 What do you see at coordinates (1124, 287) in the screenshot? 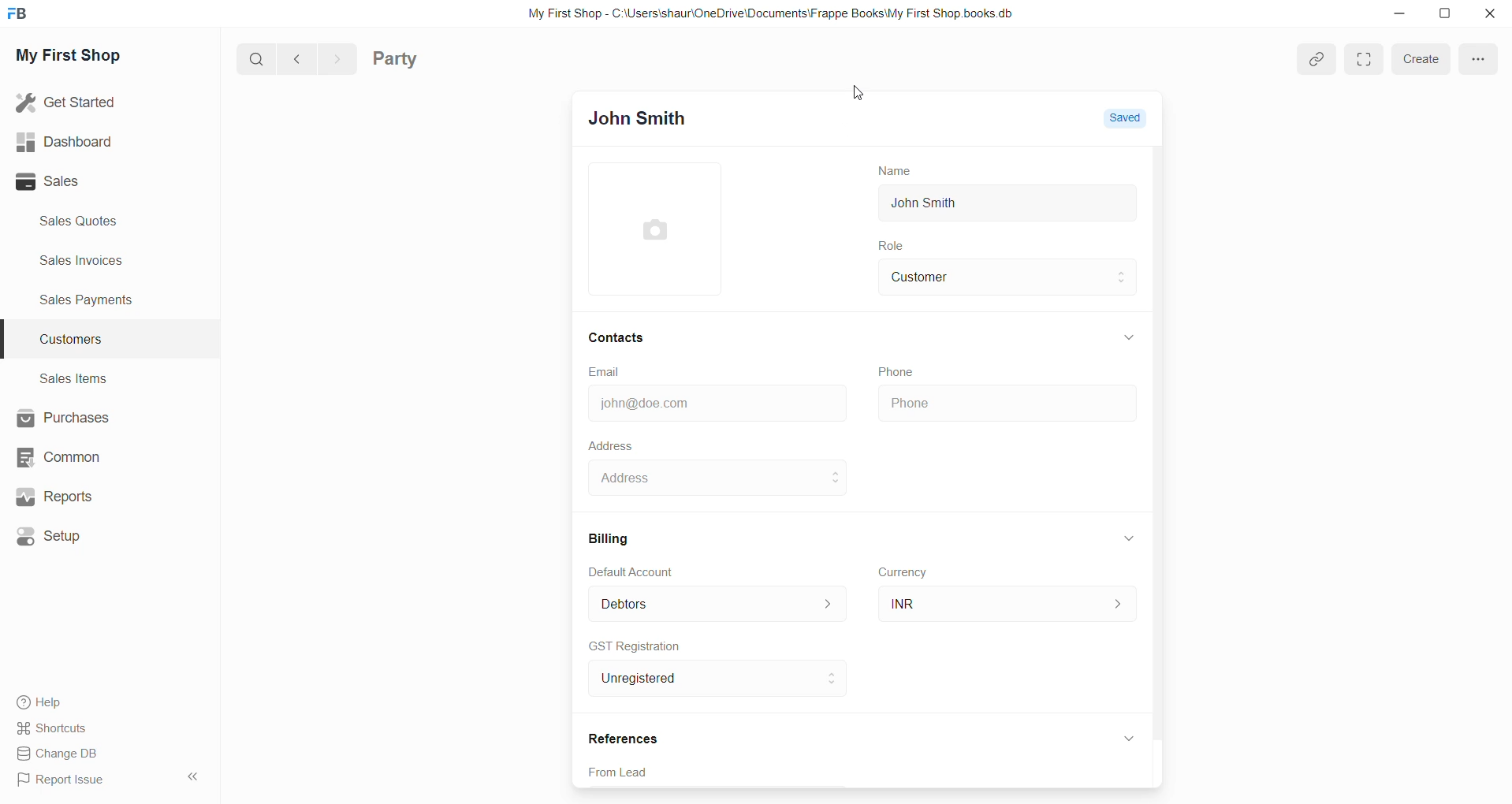
I see `move to down role` at bounding box center [1124, 287].